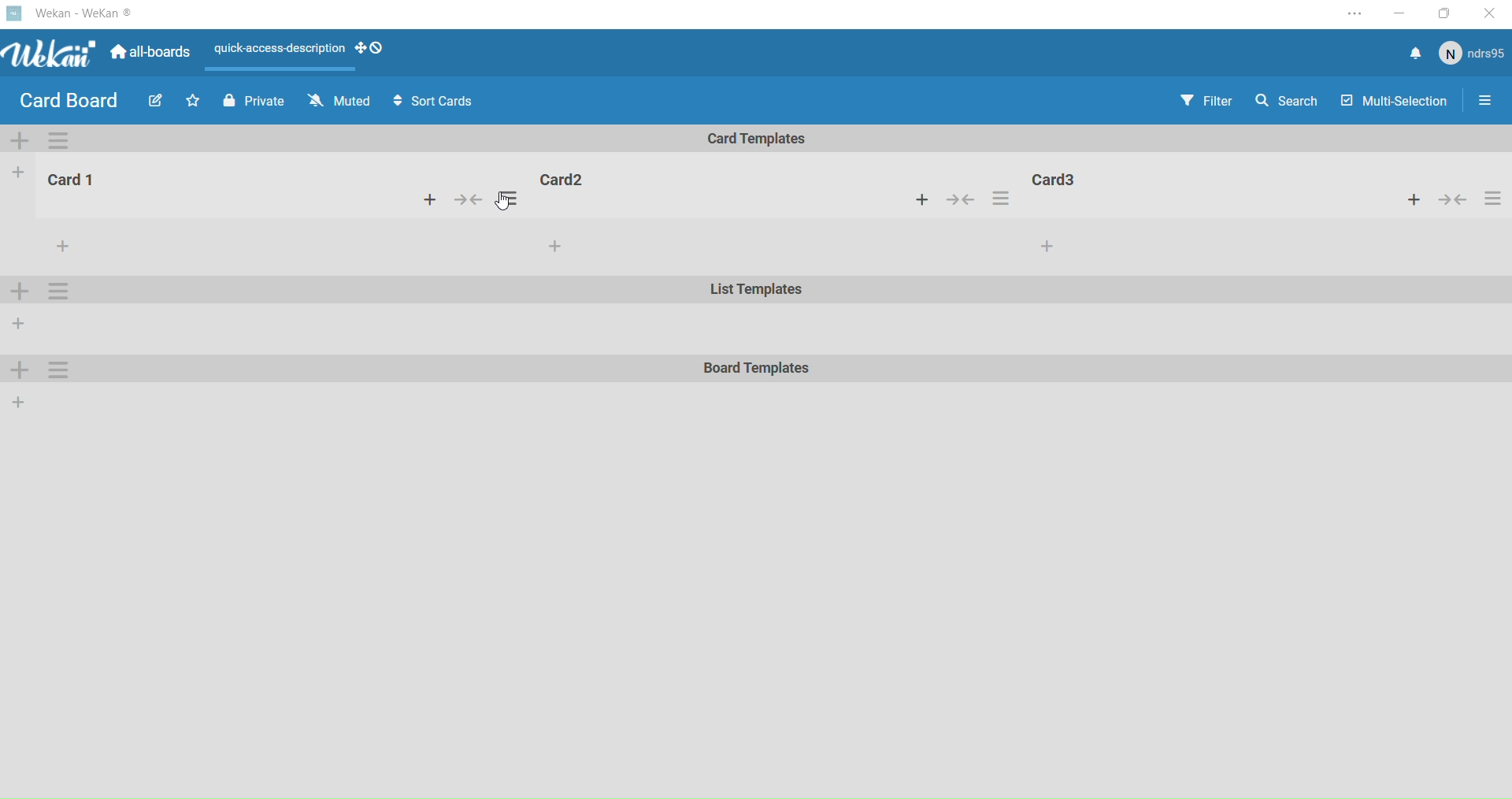  What do you see at coordinates (1000, 198) in the screenshot?
I see `actions` at bounding box center [1000, 198].